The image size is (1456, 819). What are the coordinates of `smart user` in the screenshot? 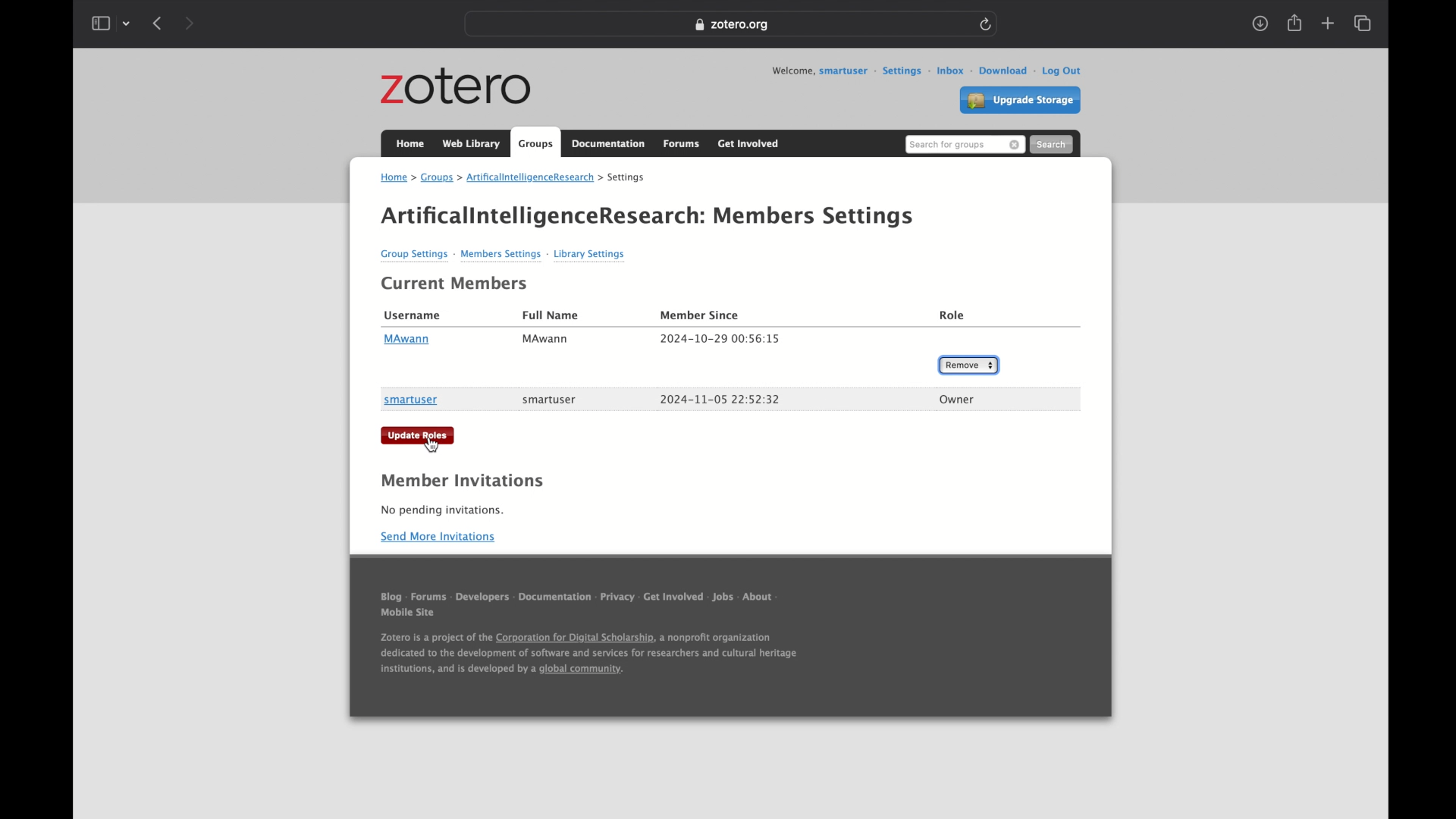 It's located at (550, 400).